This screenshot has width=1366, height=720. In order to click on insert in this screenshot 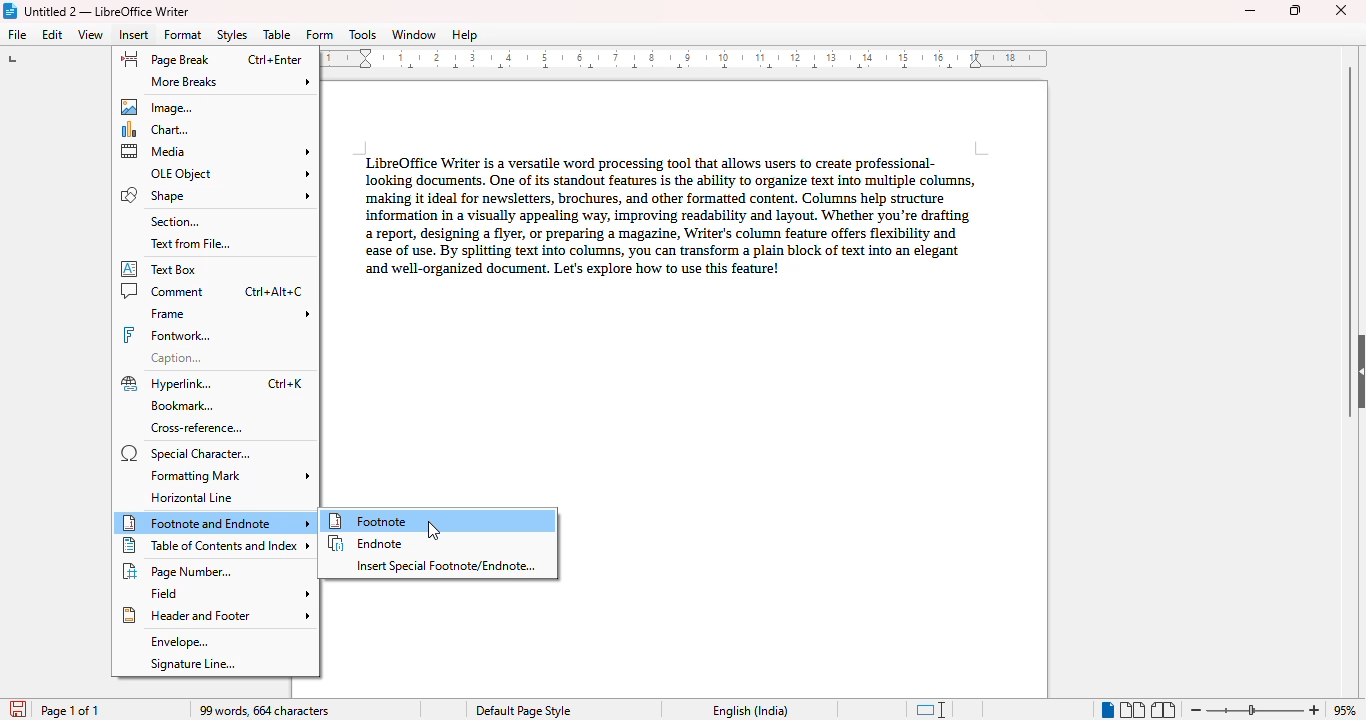, I will do `click(134, 34)`.